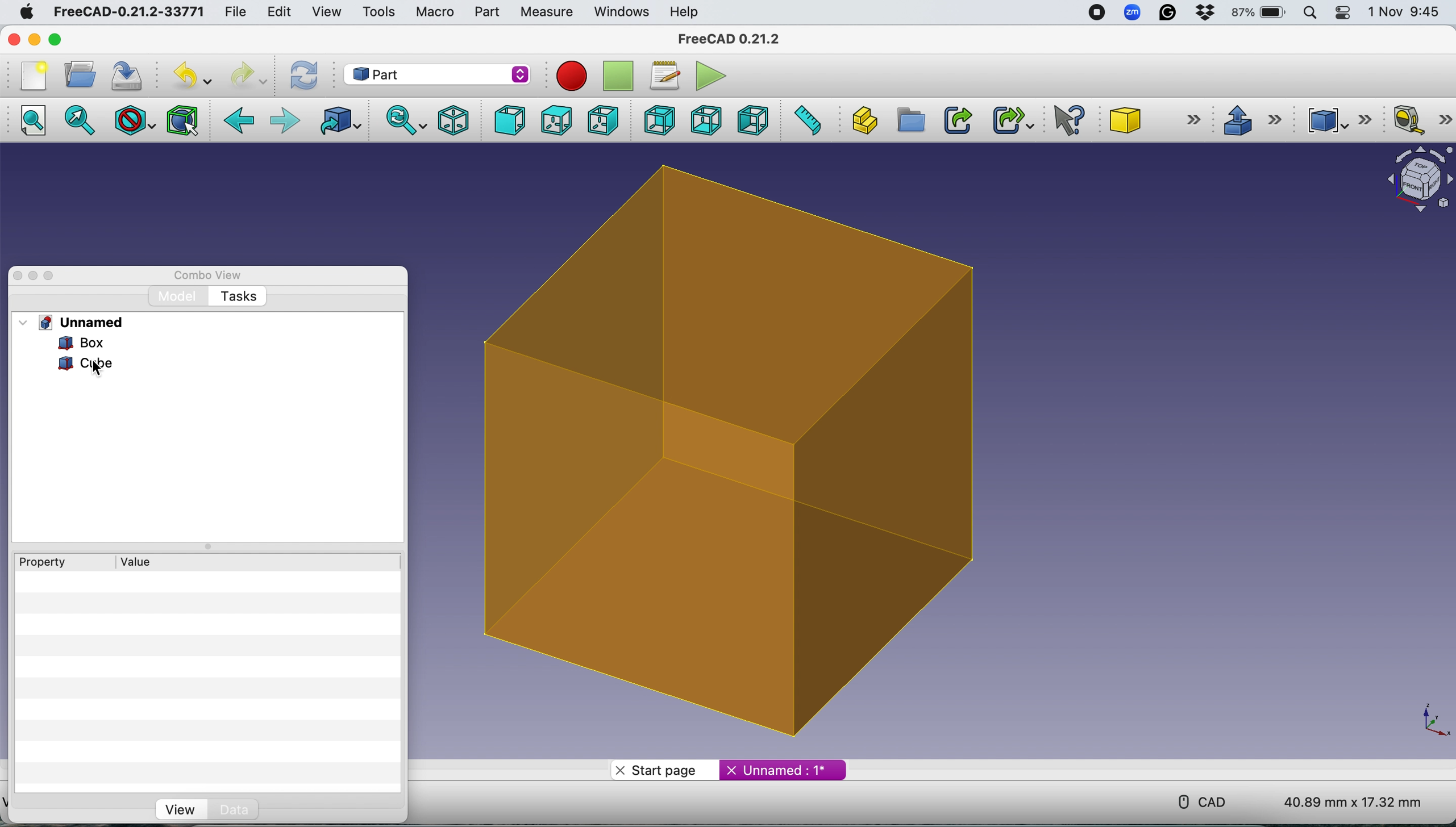 Image resolution: width=1456 pixels, height=827 pixels. Describe the element at coordinates (1071, 120) in the screenshot. I see `What's this?` at that location.